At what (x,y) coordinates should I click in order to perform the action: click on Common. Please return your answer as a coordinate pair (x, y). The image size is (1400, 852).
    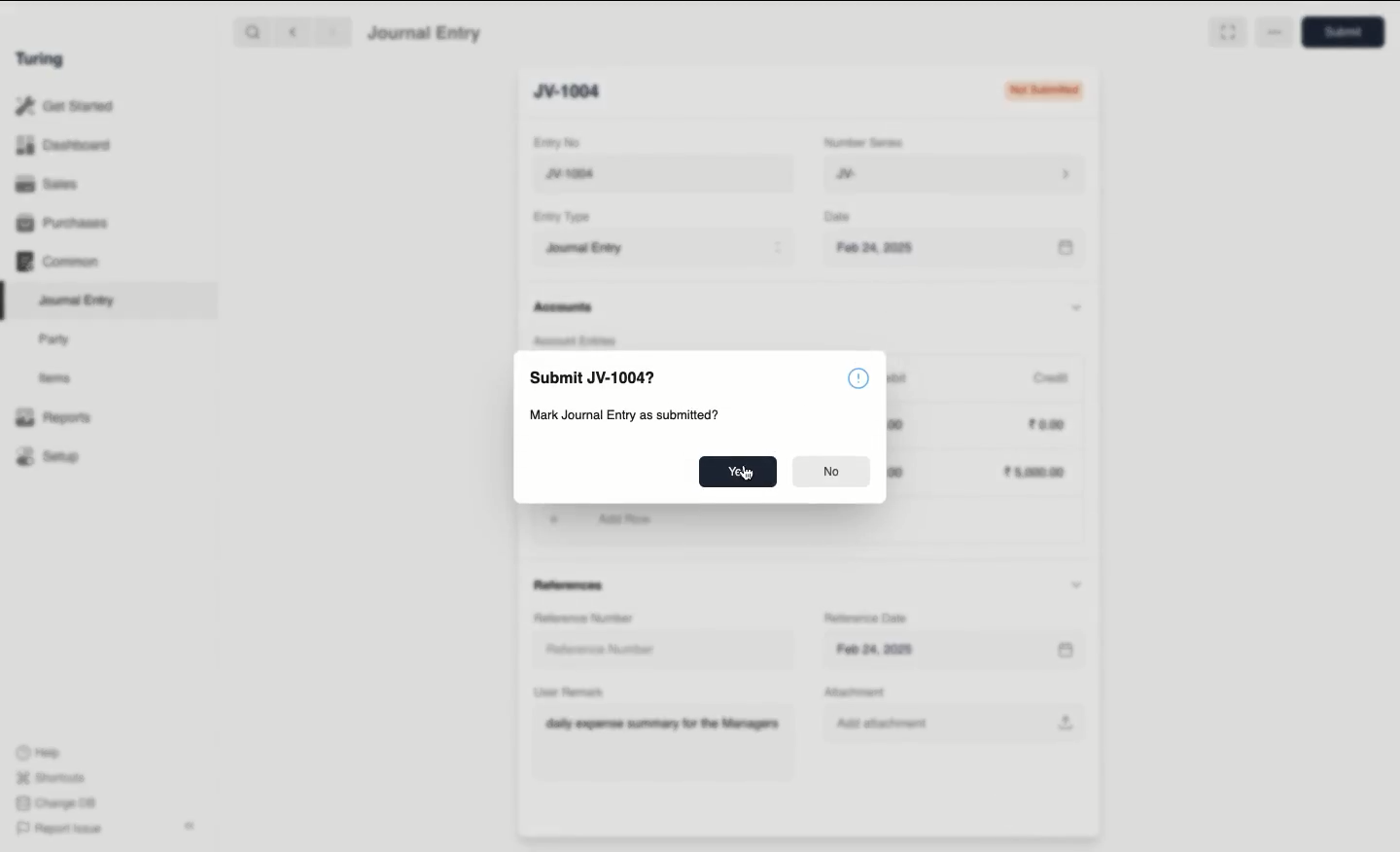
    Looking at the image, I should click on (59, 262).